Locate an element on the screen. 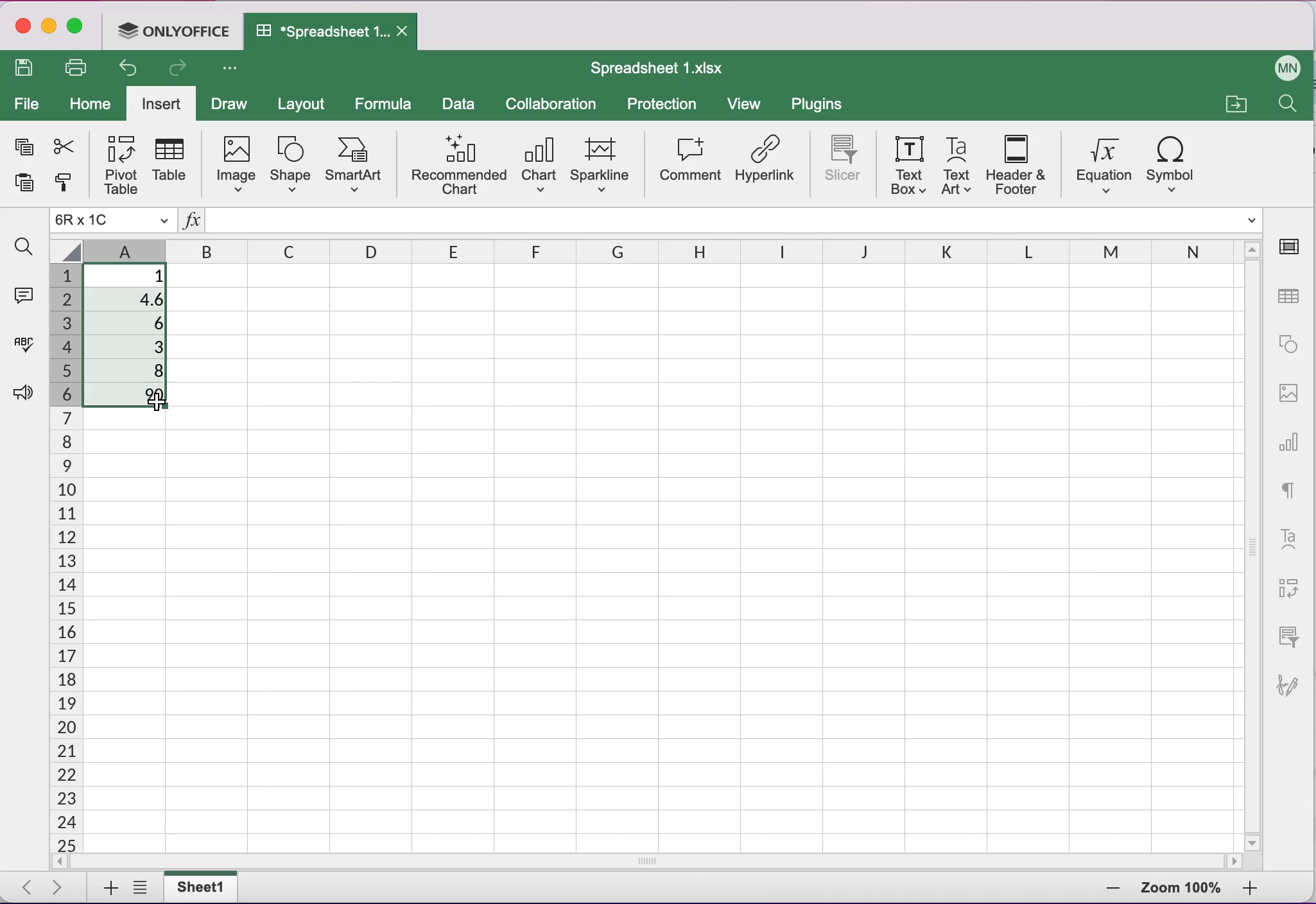 This screenshot has height=904, width=1316. paste is located at coordinates (24, 185).